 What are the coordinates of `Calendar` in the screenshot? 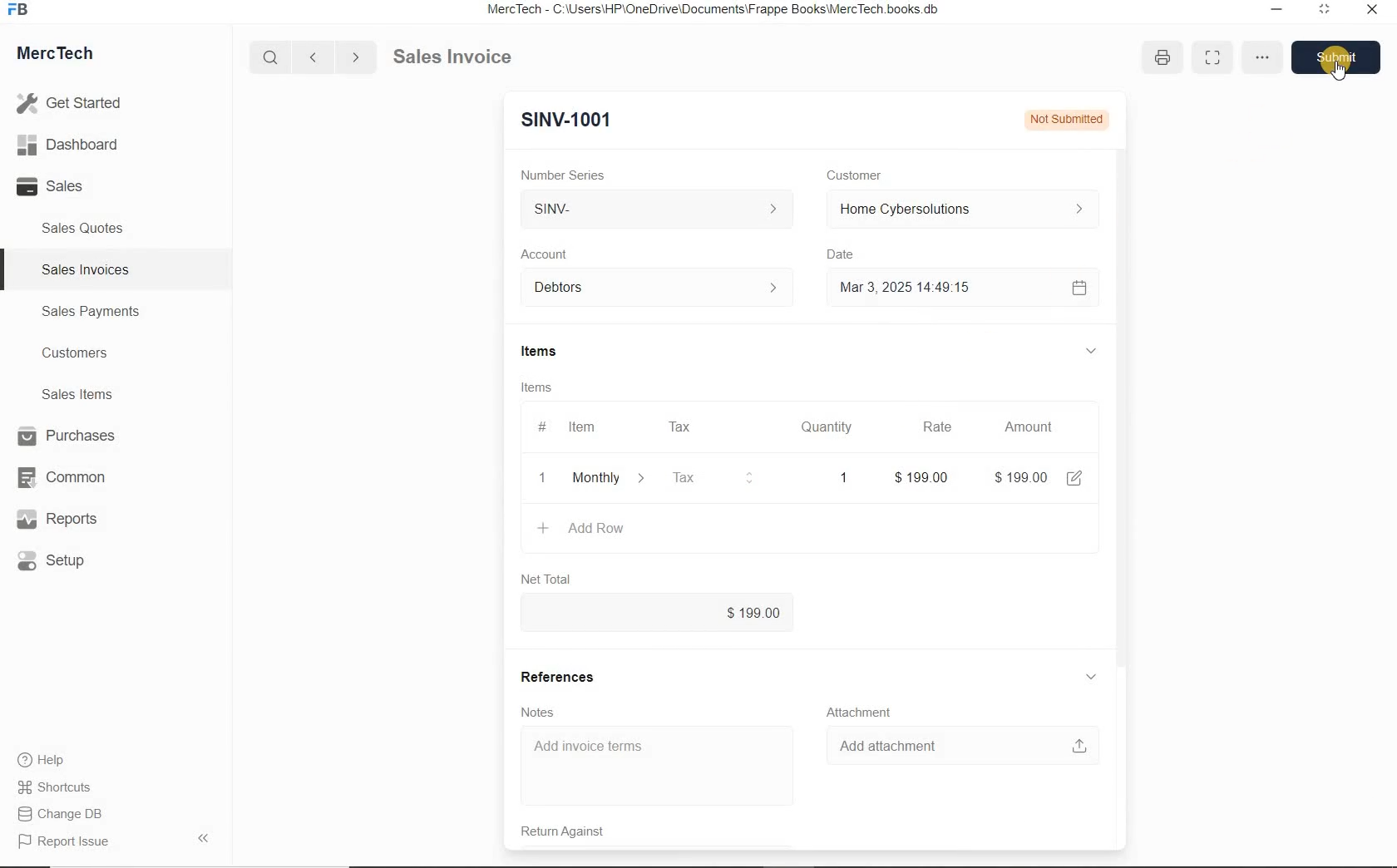 It's located at (1078, 289).